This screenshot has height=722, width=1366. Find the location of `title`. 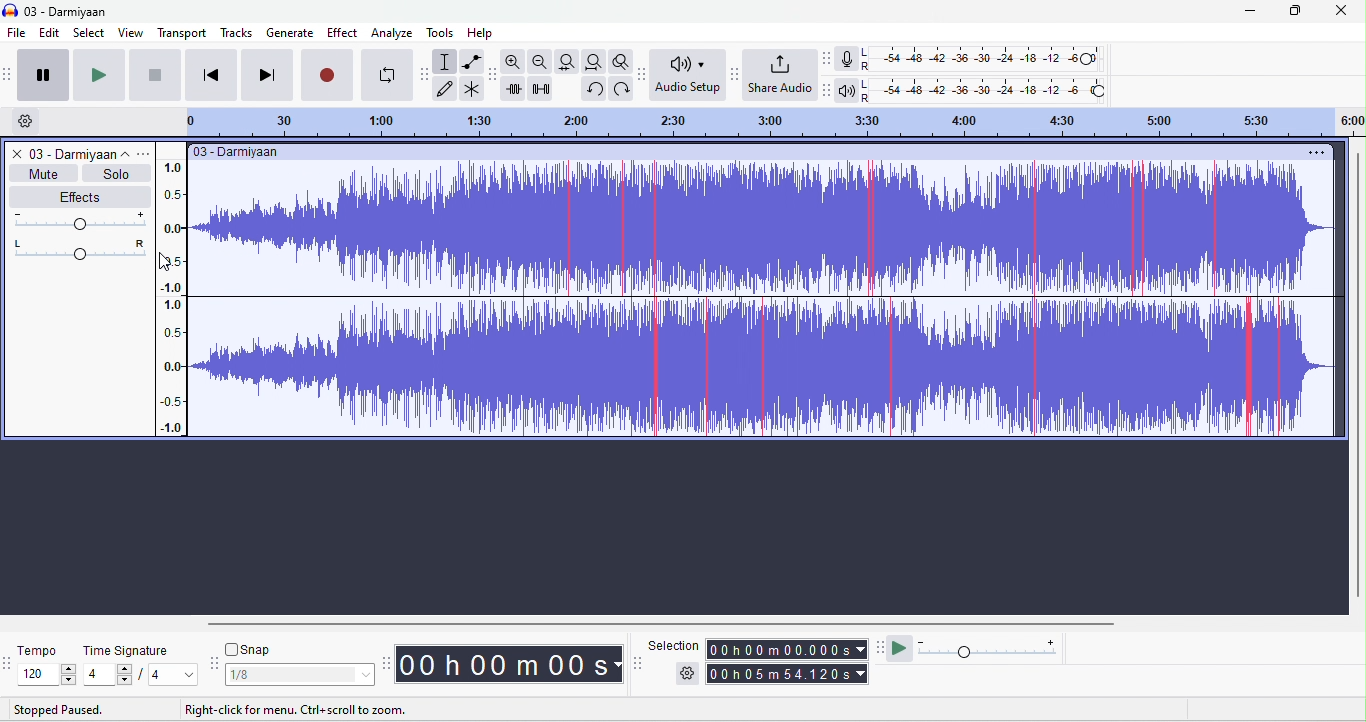

title is located at coordinates (241, 153).